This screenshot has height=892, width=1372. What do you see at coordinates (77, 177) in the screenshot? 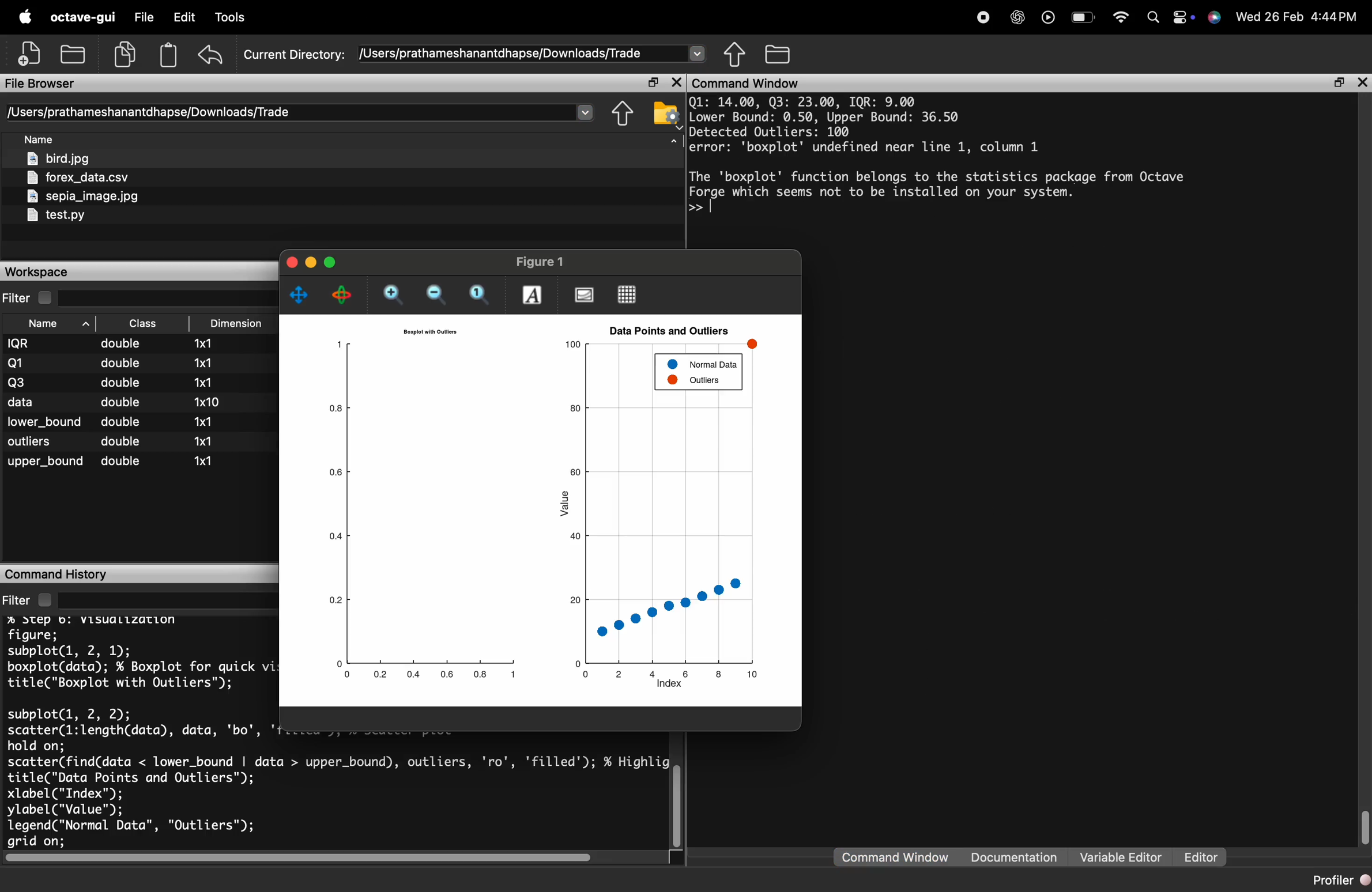
I see `forex_data.csv` at bounding box center [77, 177].